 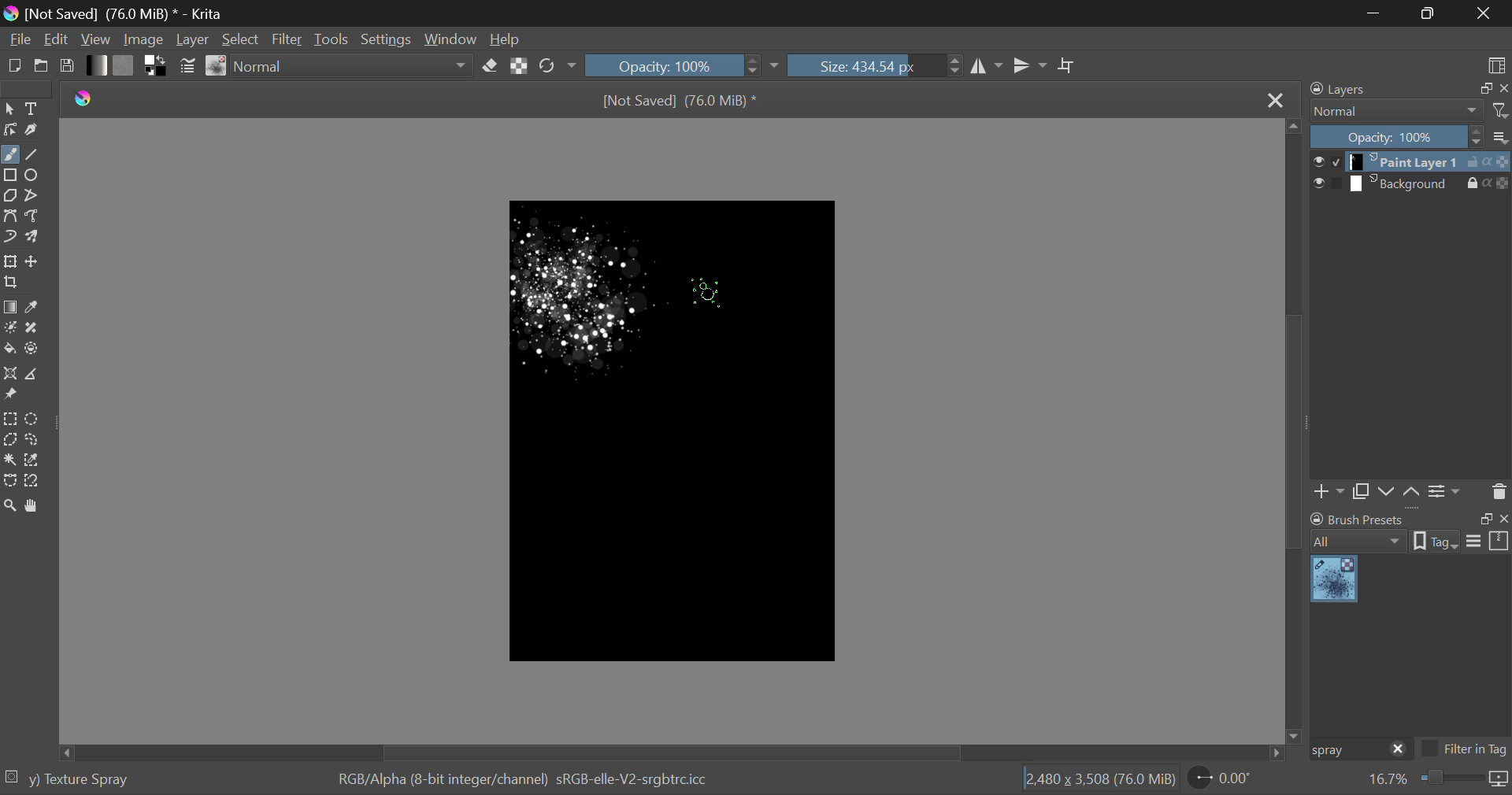 What do you see at coordinates (591, 289) in the screenshot?
I see `brush stroke added` at bounding box center [591, 289].